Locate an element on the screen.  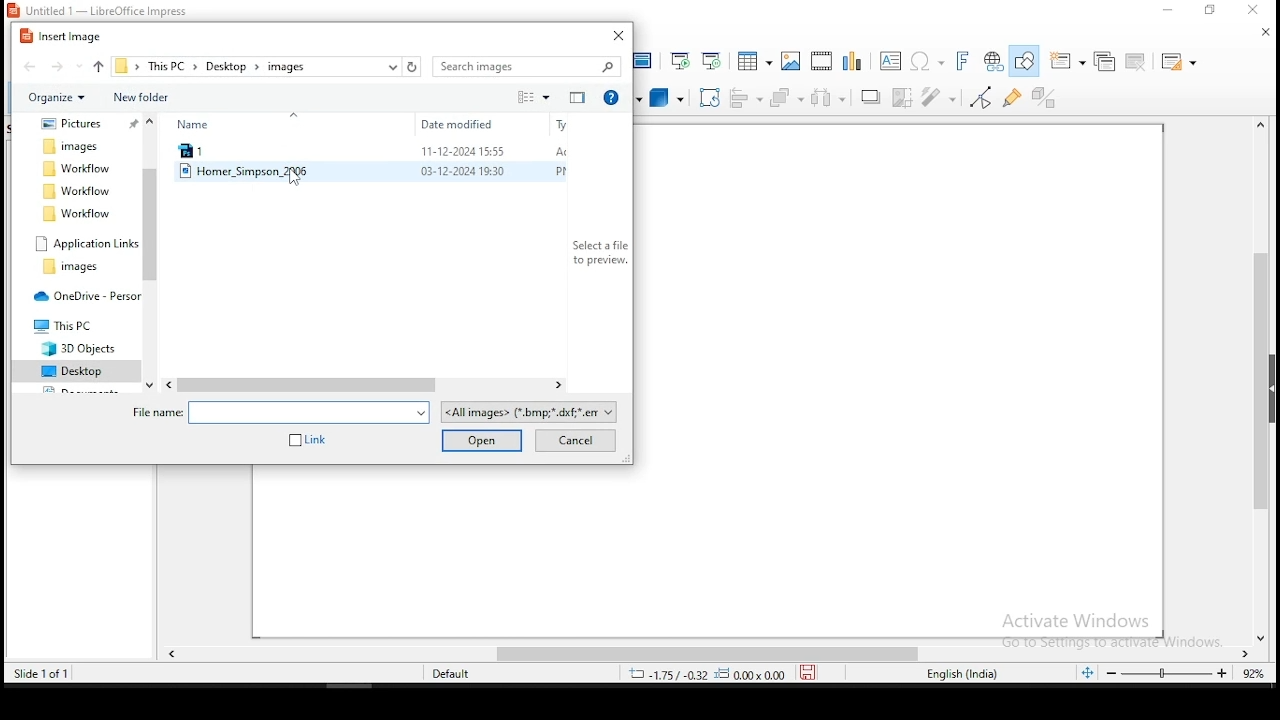
desktop is located at coordinates (232, 66).